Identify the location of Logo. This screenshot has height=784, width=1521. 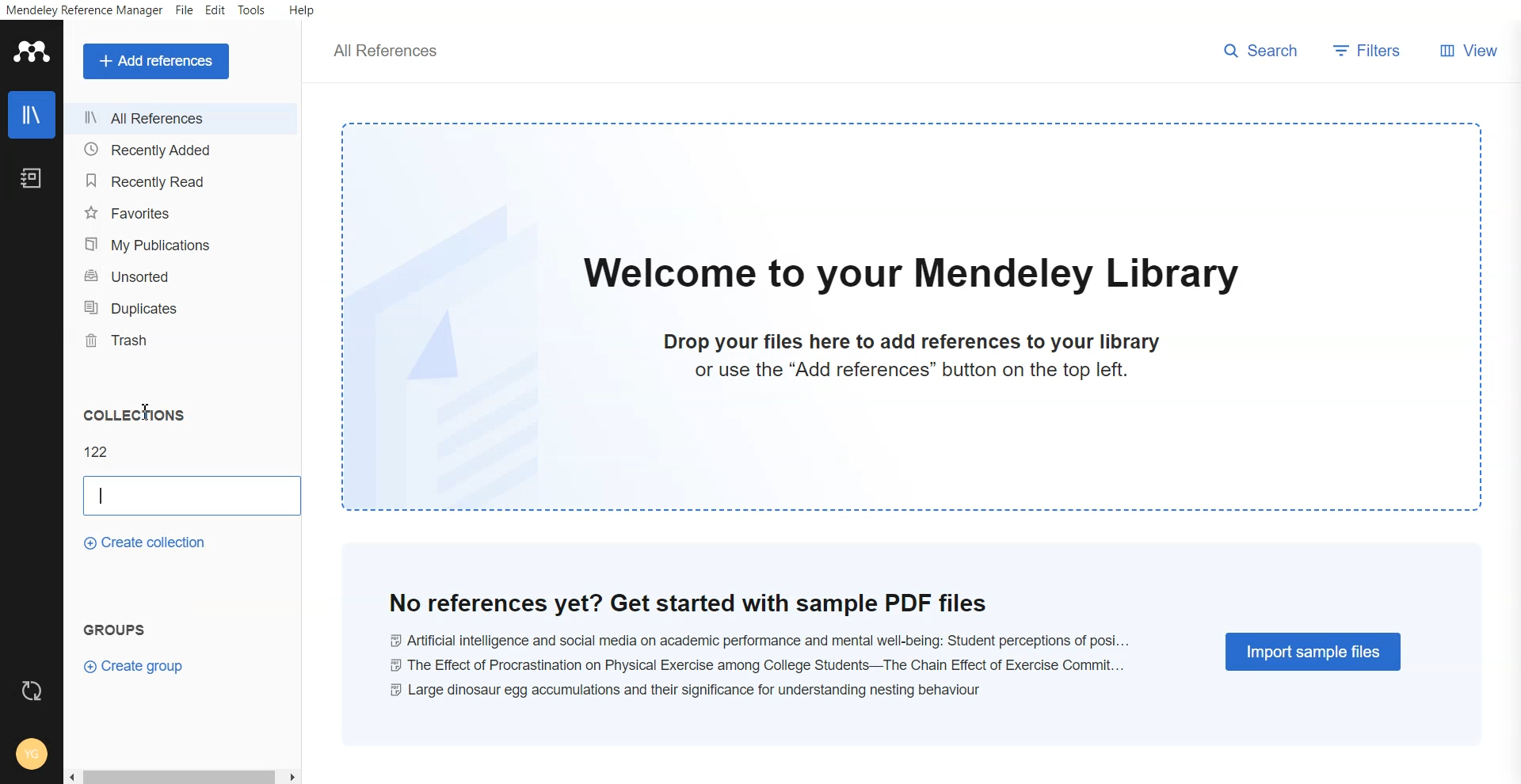
(32, 51).